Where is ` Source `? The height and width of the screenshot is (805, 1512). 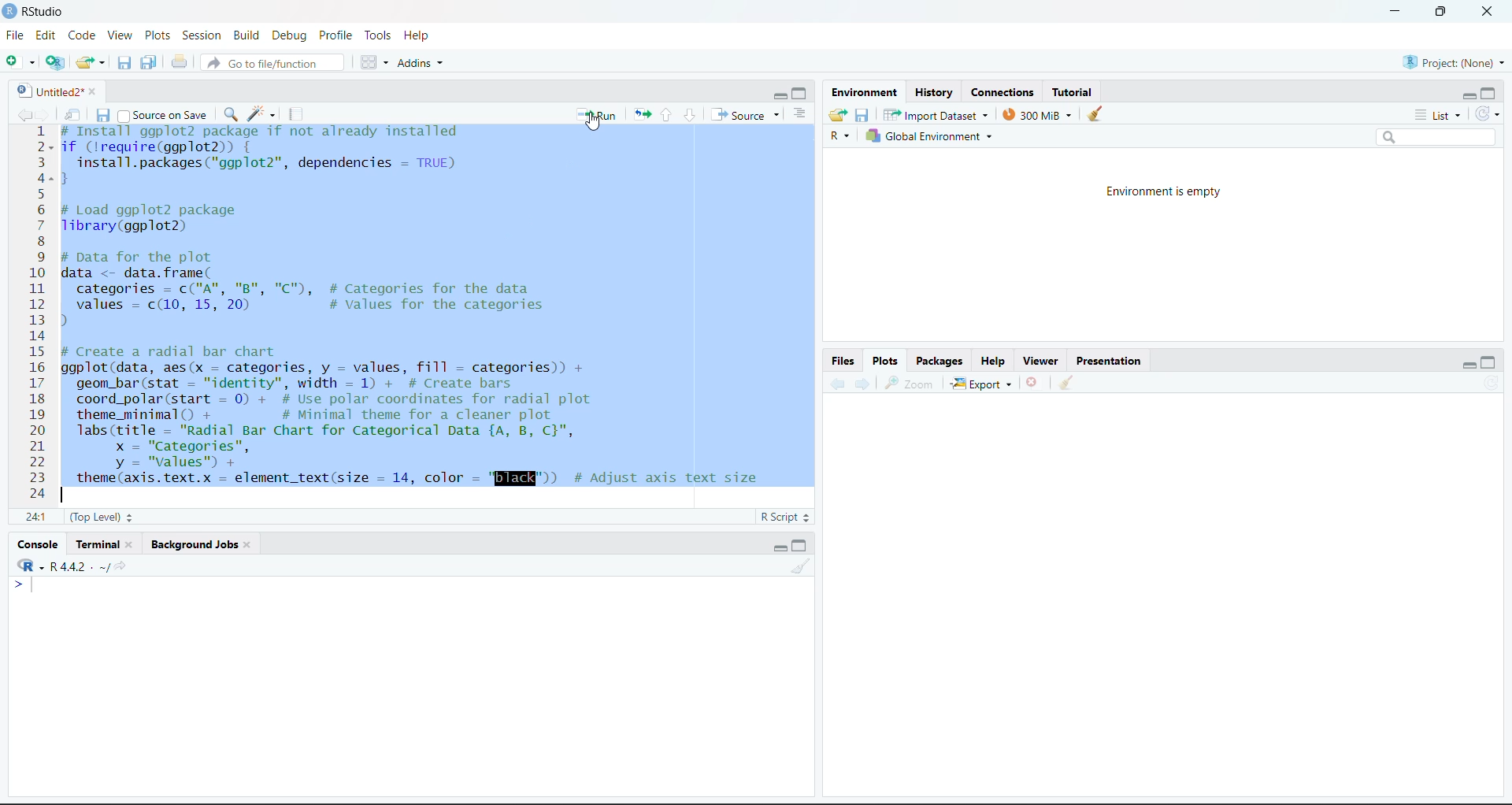
 Source  is located at coordinates (749, 115).